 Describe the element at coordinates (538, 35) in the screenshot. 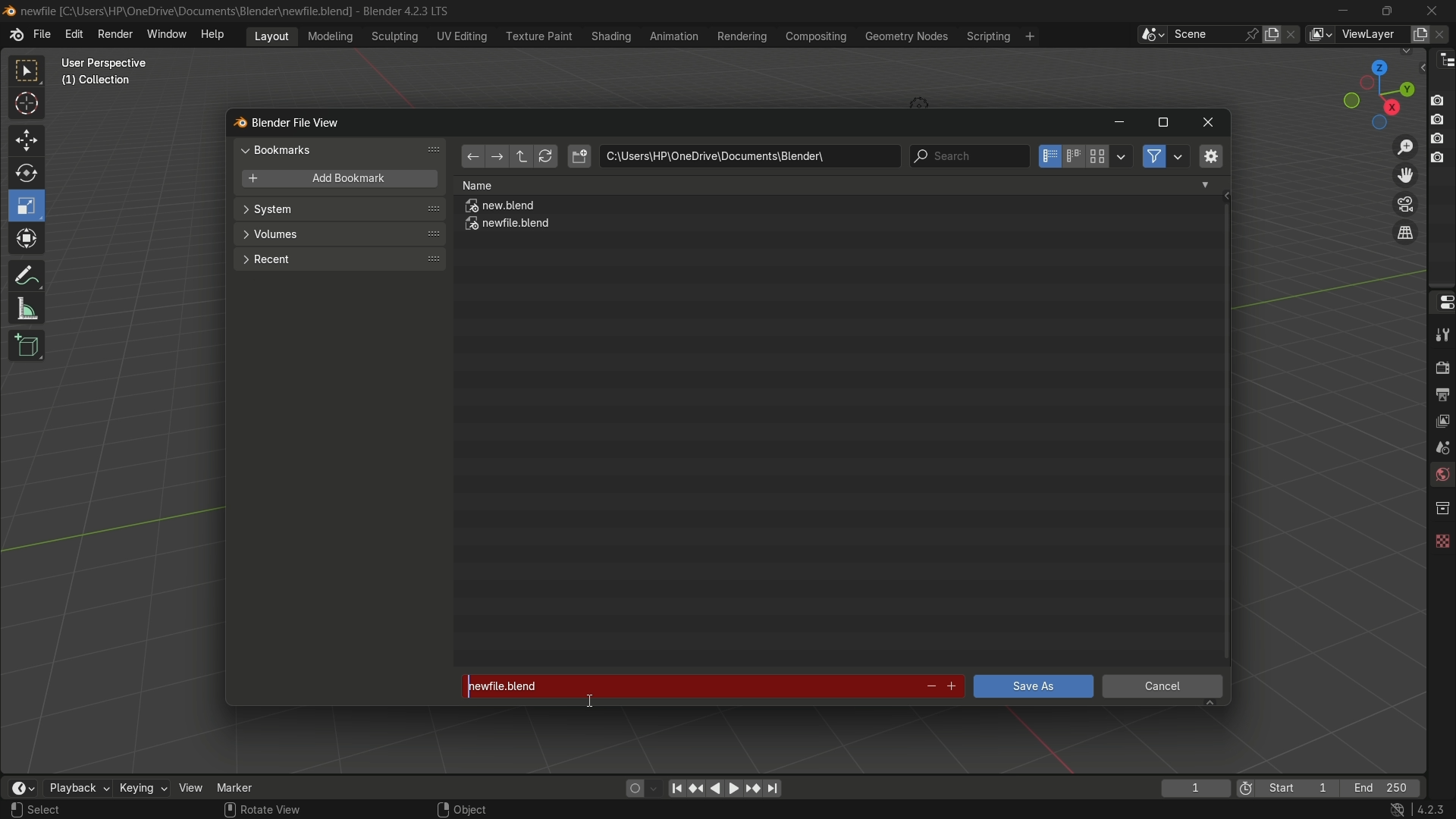

I see `texture paint menu` at that location.